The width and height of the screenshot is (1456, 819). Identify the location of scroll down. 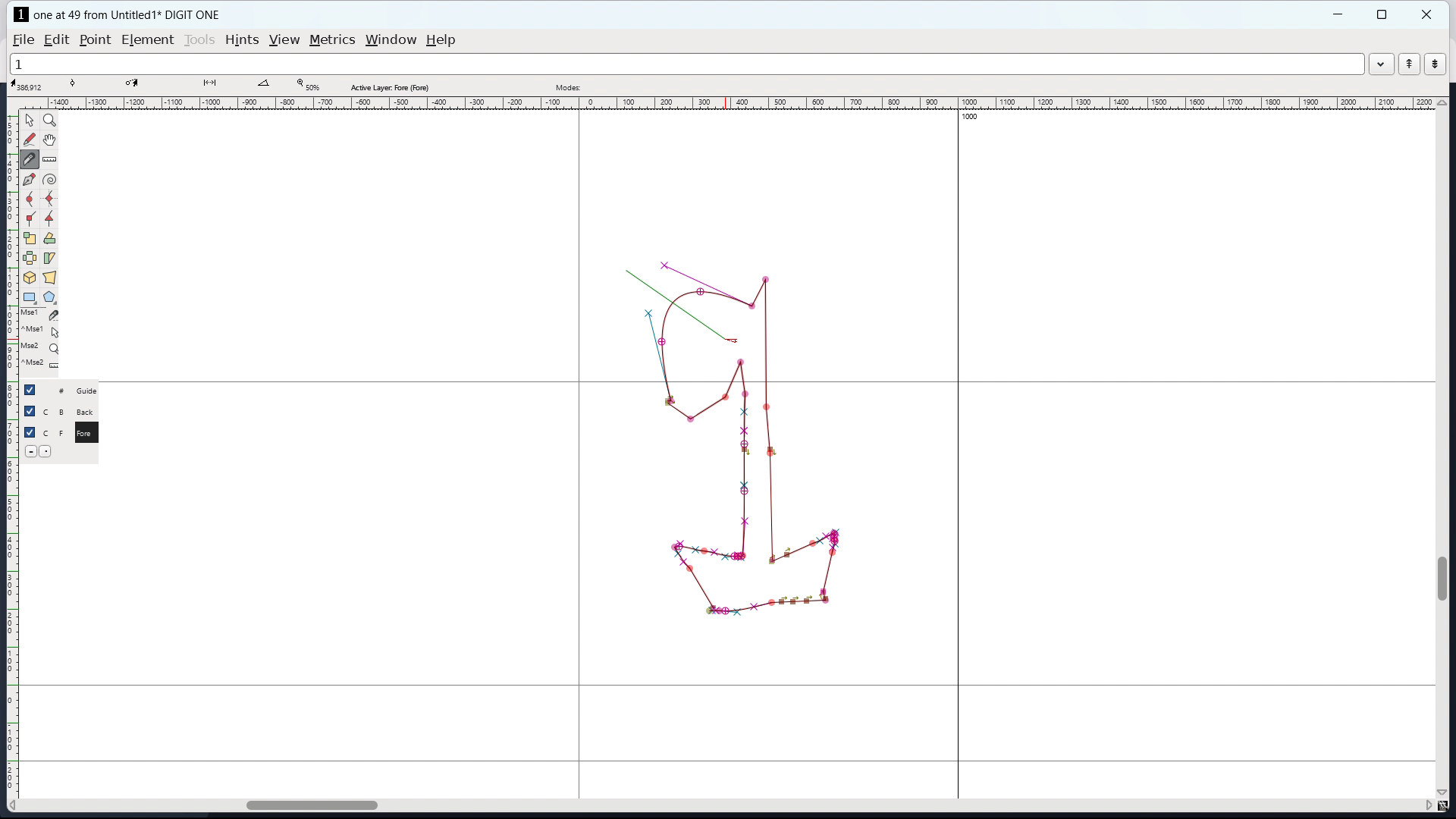
(1443, 792).